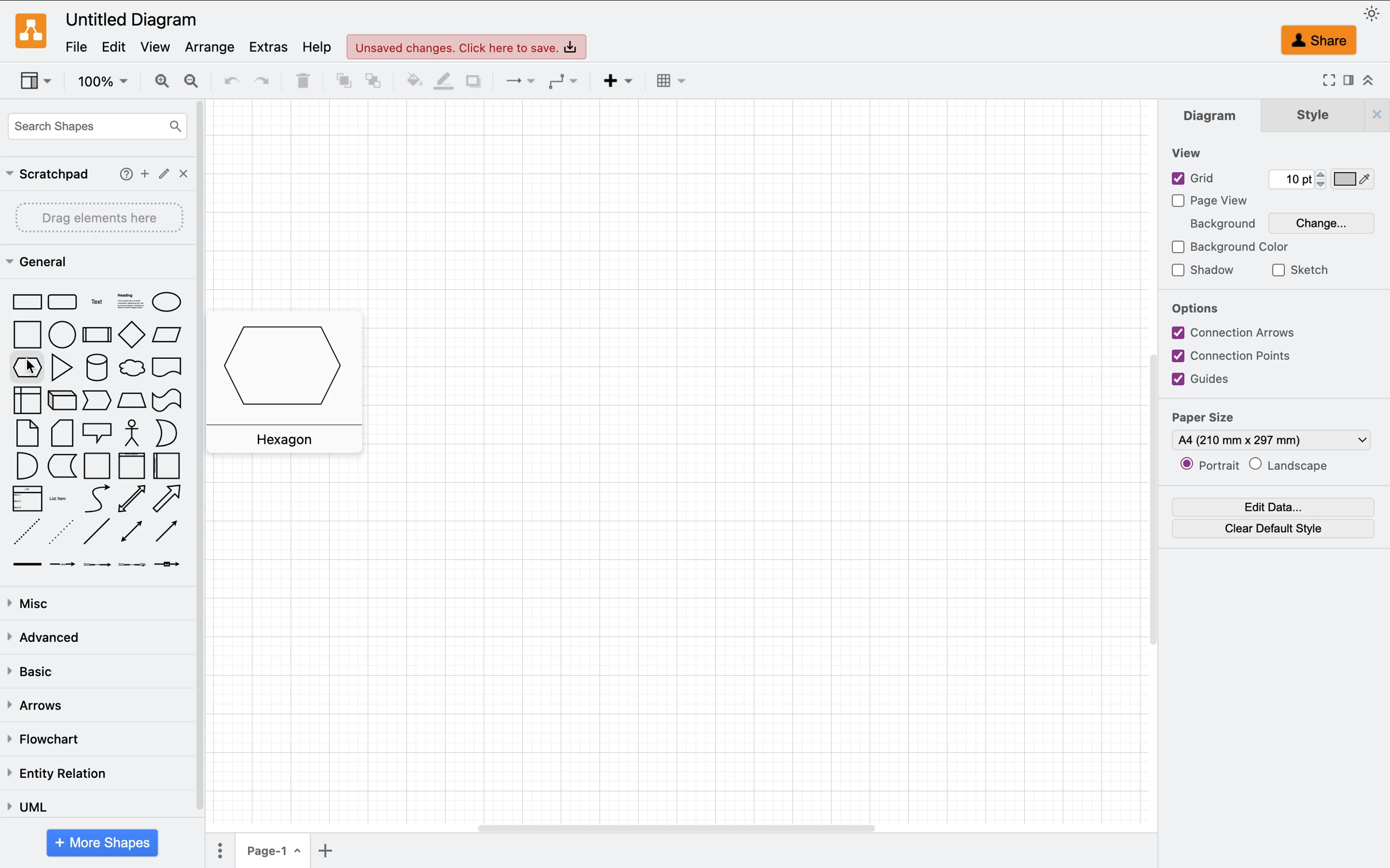 The width and height of the screenshot is (1390, 868). I want to click on theme, so click(1374, 14).